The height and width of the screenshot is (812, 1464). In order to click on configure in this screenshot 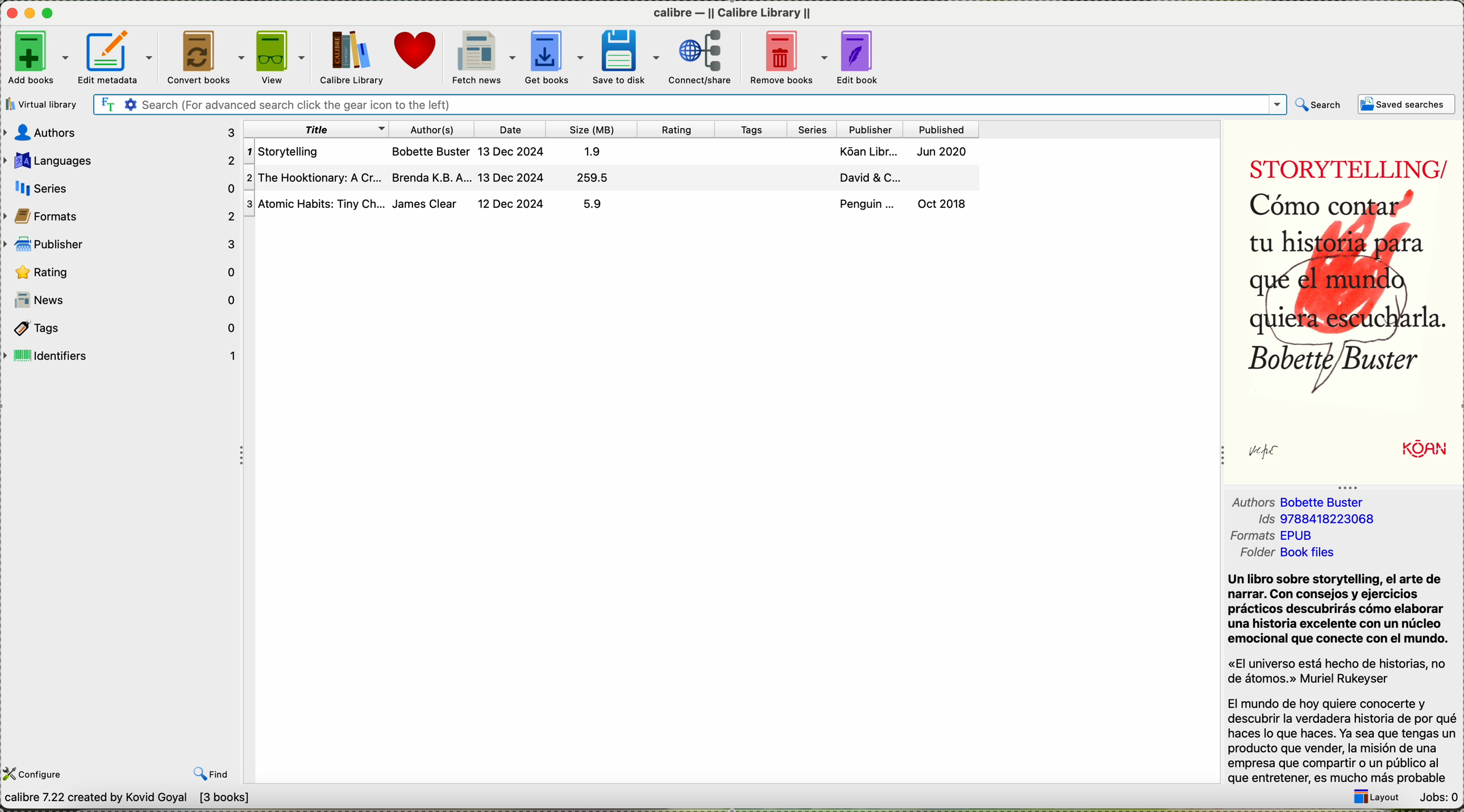, I will do `click(35, 773)`.